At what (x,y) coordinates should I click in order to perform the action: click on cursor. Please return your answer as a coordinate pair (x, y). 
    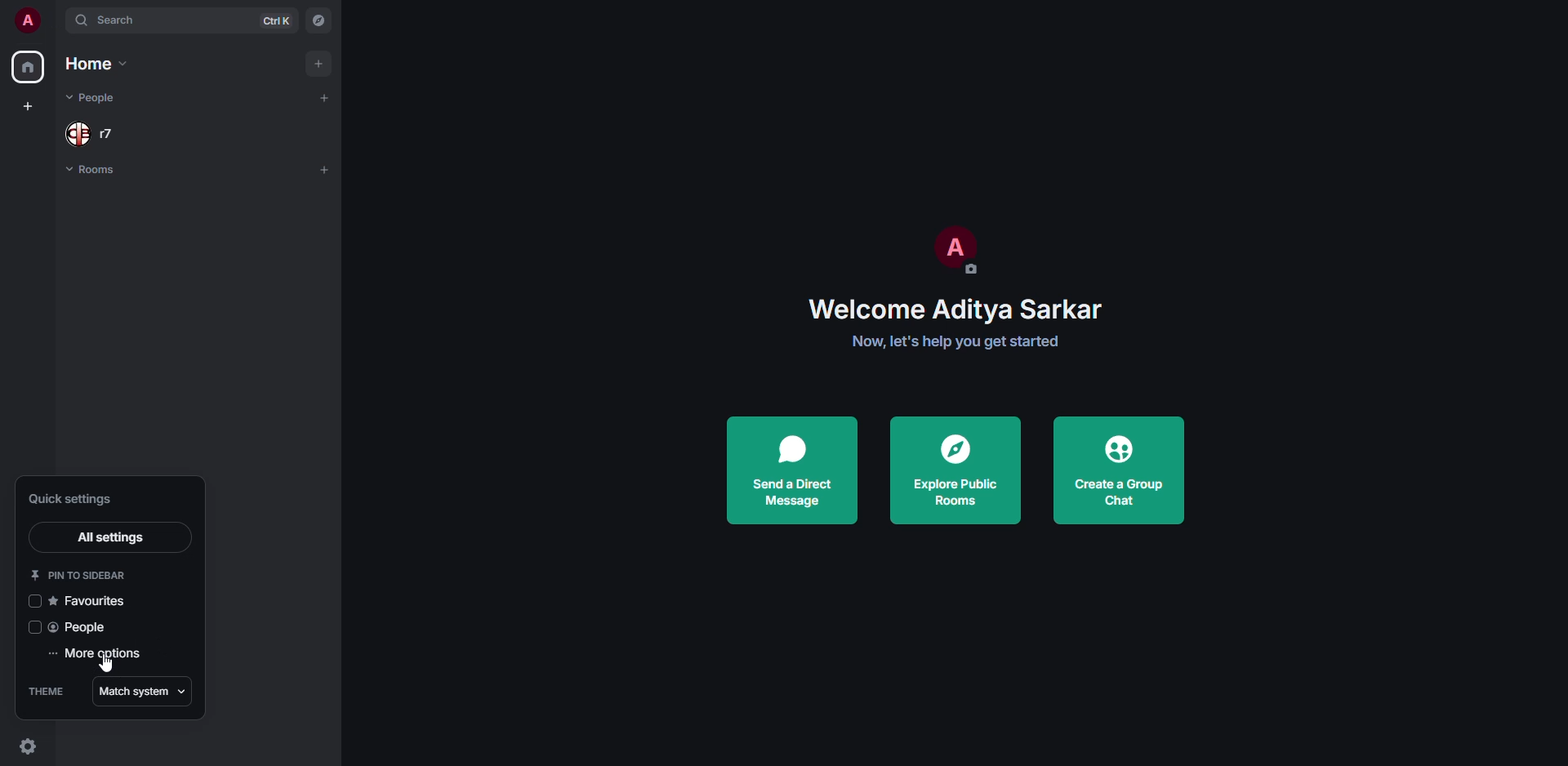
    Looking at the image, I should click on (106, 662).